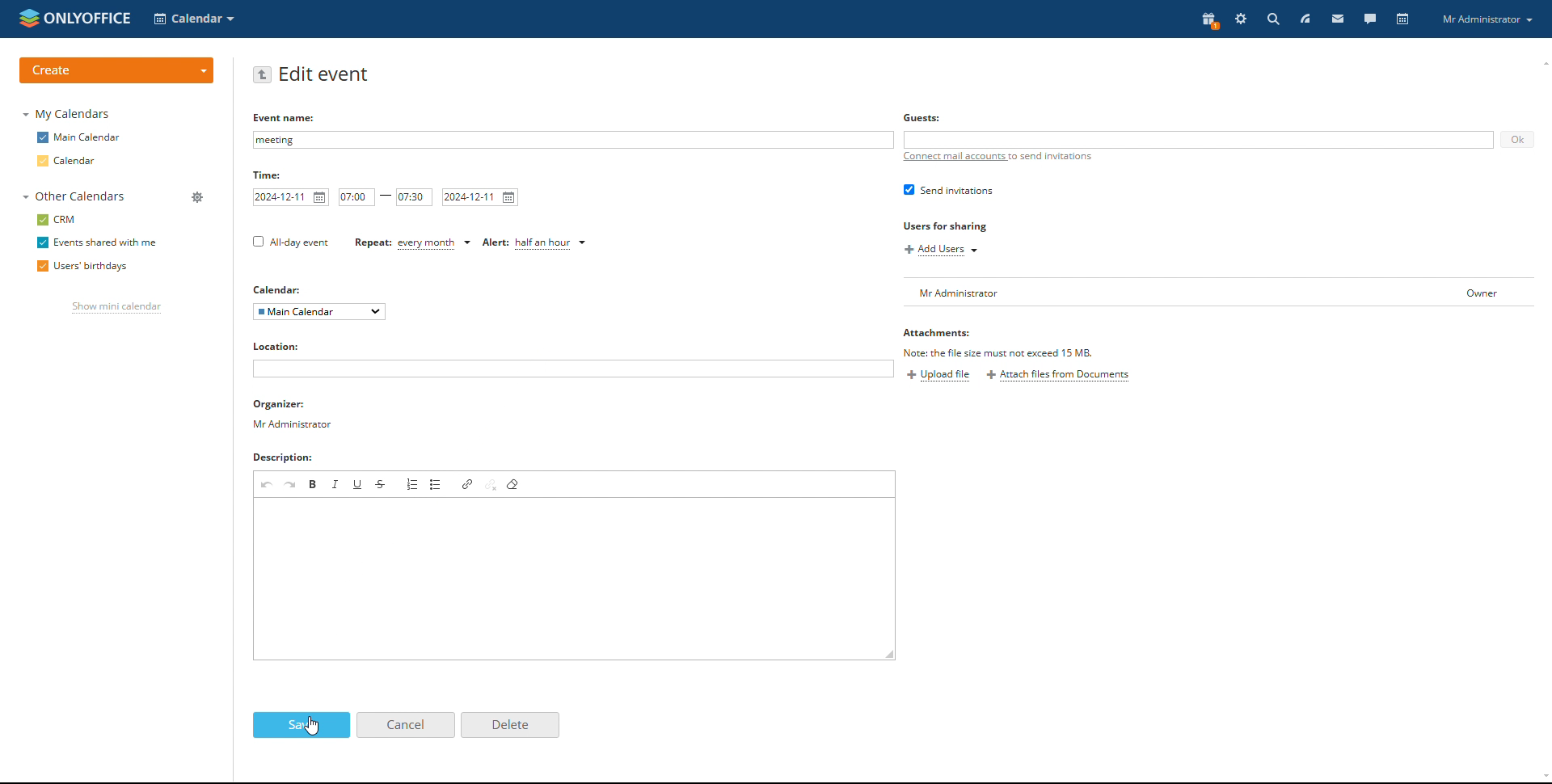  What do you see at coordinates (75, 18) in the screenshot?
I see `logo` at bounding box center [75, 18].